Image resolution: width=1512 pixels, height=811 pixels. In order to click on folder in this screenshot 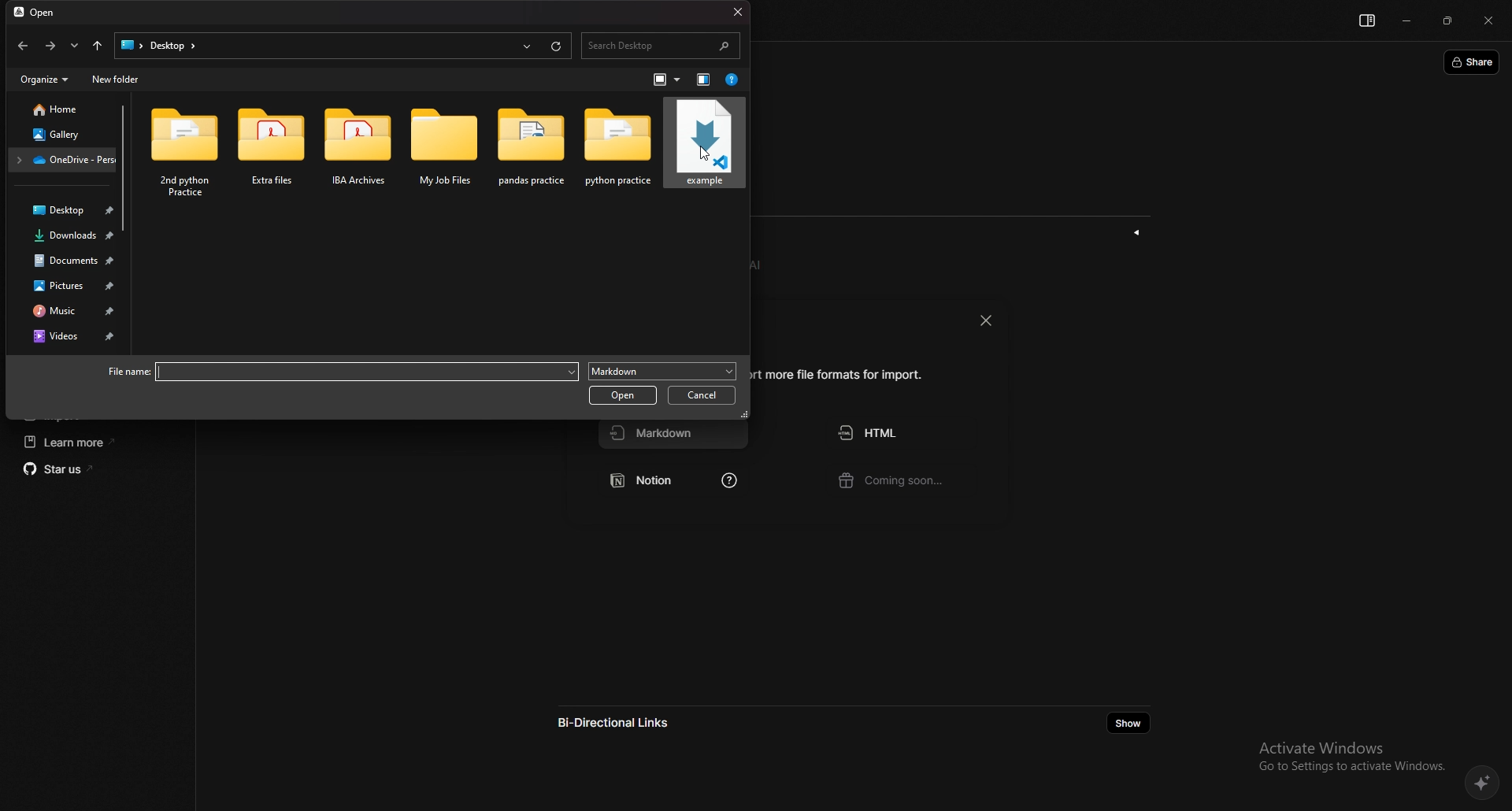, I will do `click(185, 152)`.